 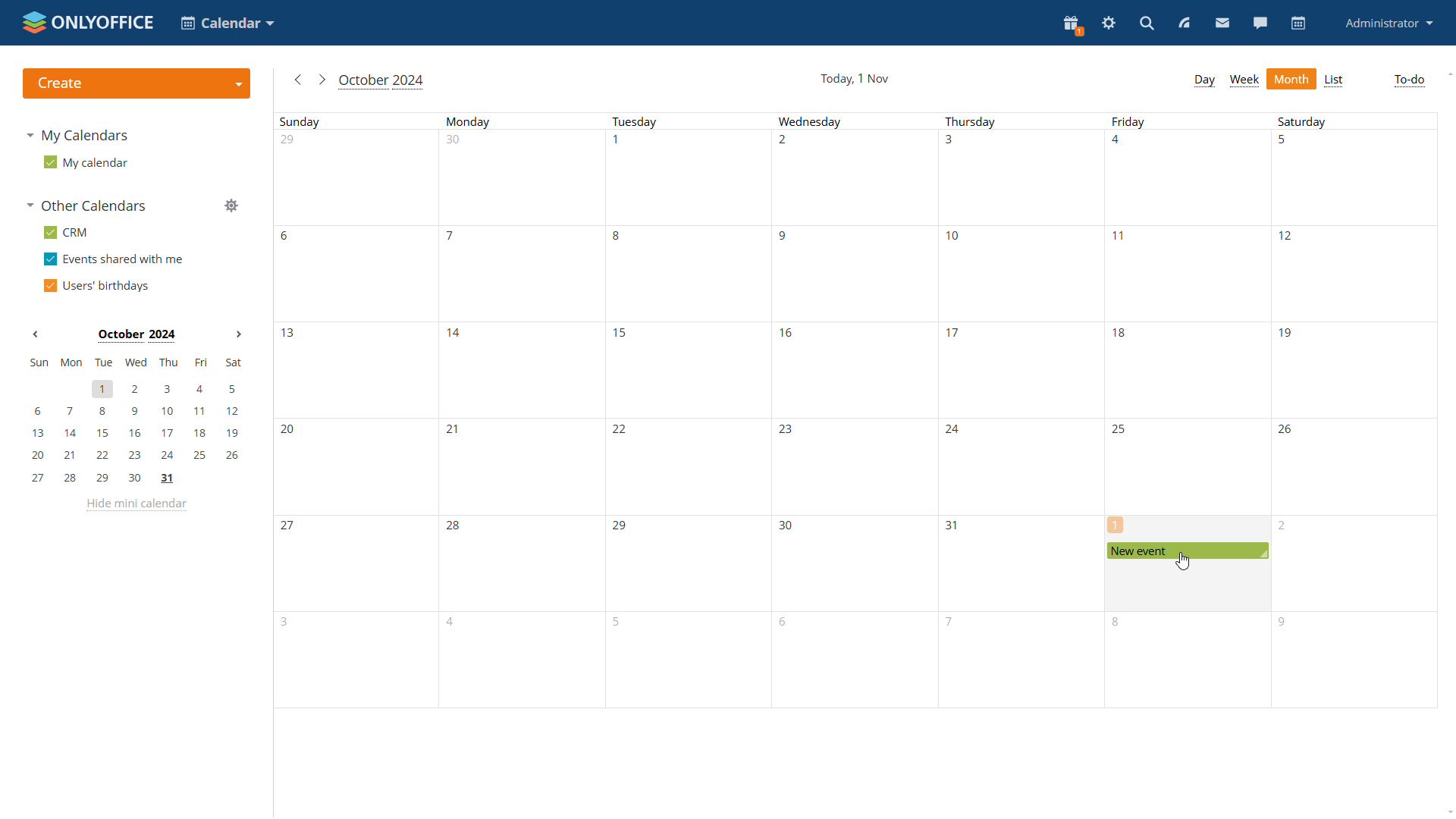 I want to click on sunday, so click(x=357, y=413).